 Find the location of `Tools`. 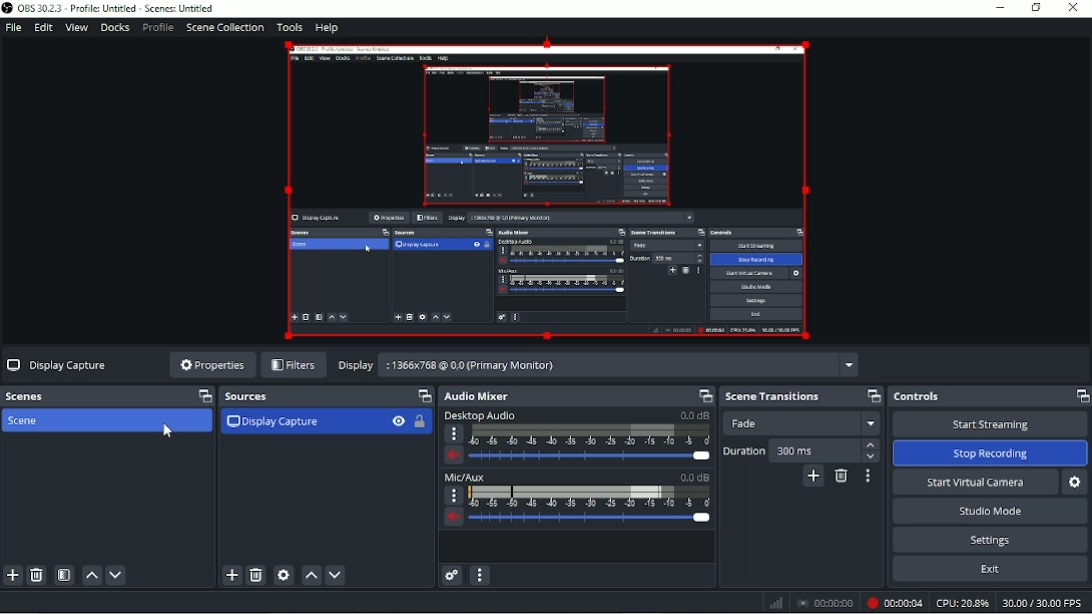

Tools is located at coordinates (290, 27).